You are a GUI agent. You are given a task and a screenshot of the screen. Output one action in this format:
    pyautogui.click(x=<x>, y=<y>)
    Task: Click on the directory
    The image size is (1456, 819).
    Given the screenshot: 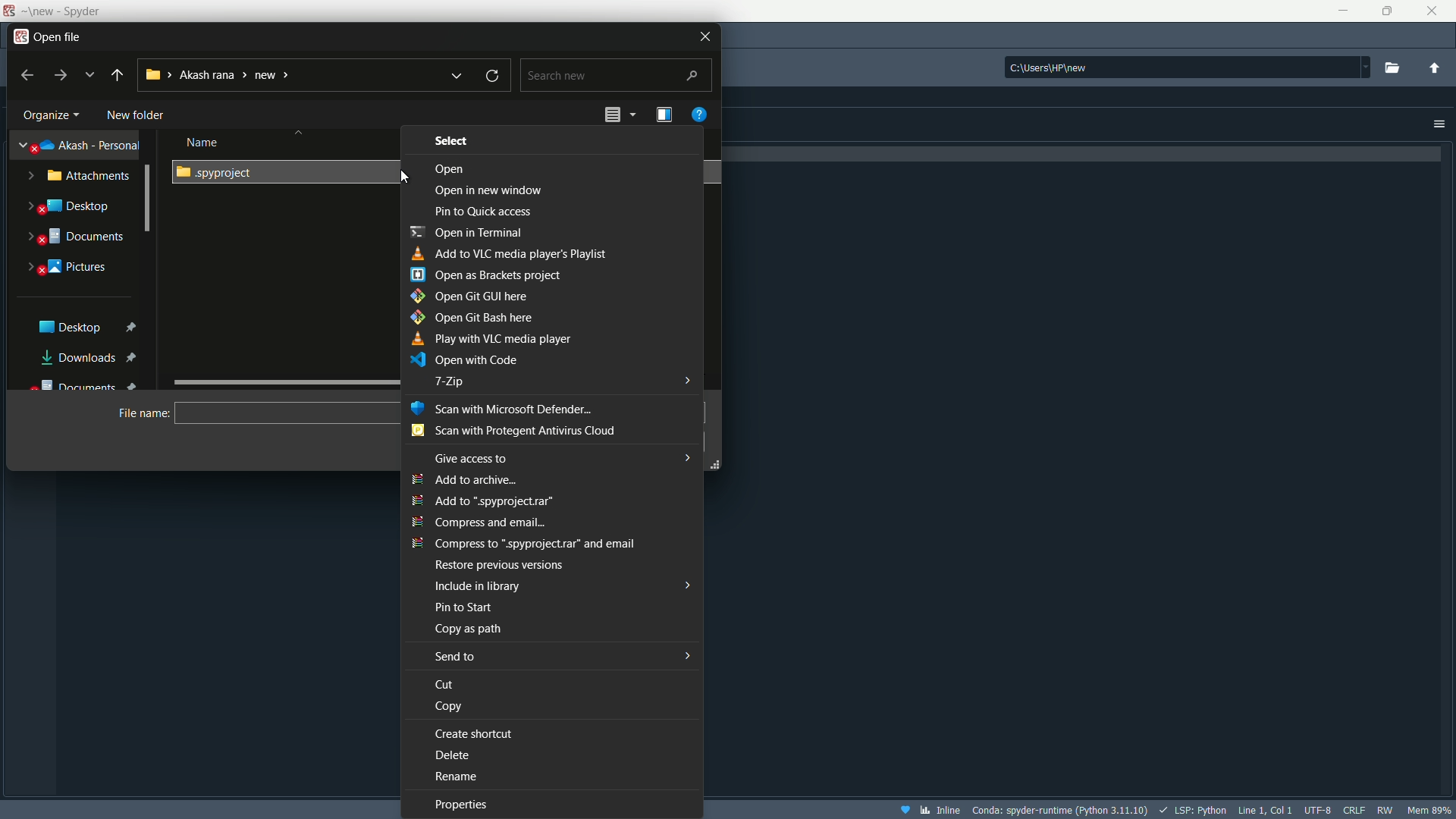 What is the action you would take?
    pyautogui.click(x=1188, y=67)
    